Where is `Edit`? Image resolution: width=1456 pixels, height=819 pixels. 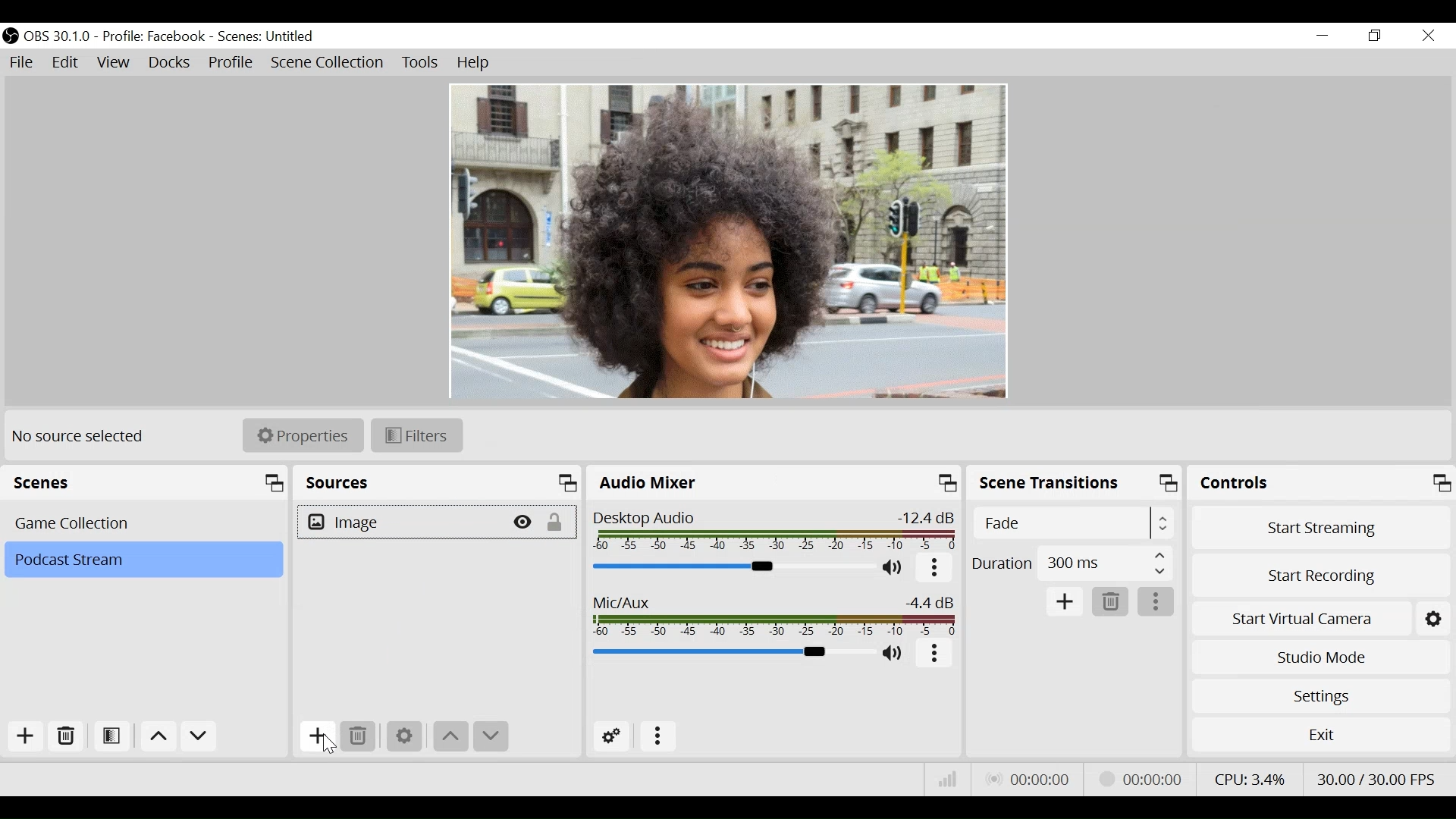
Edit is located at coordinates (67, 63).